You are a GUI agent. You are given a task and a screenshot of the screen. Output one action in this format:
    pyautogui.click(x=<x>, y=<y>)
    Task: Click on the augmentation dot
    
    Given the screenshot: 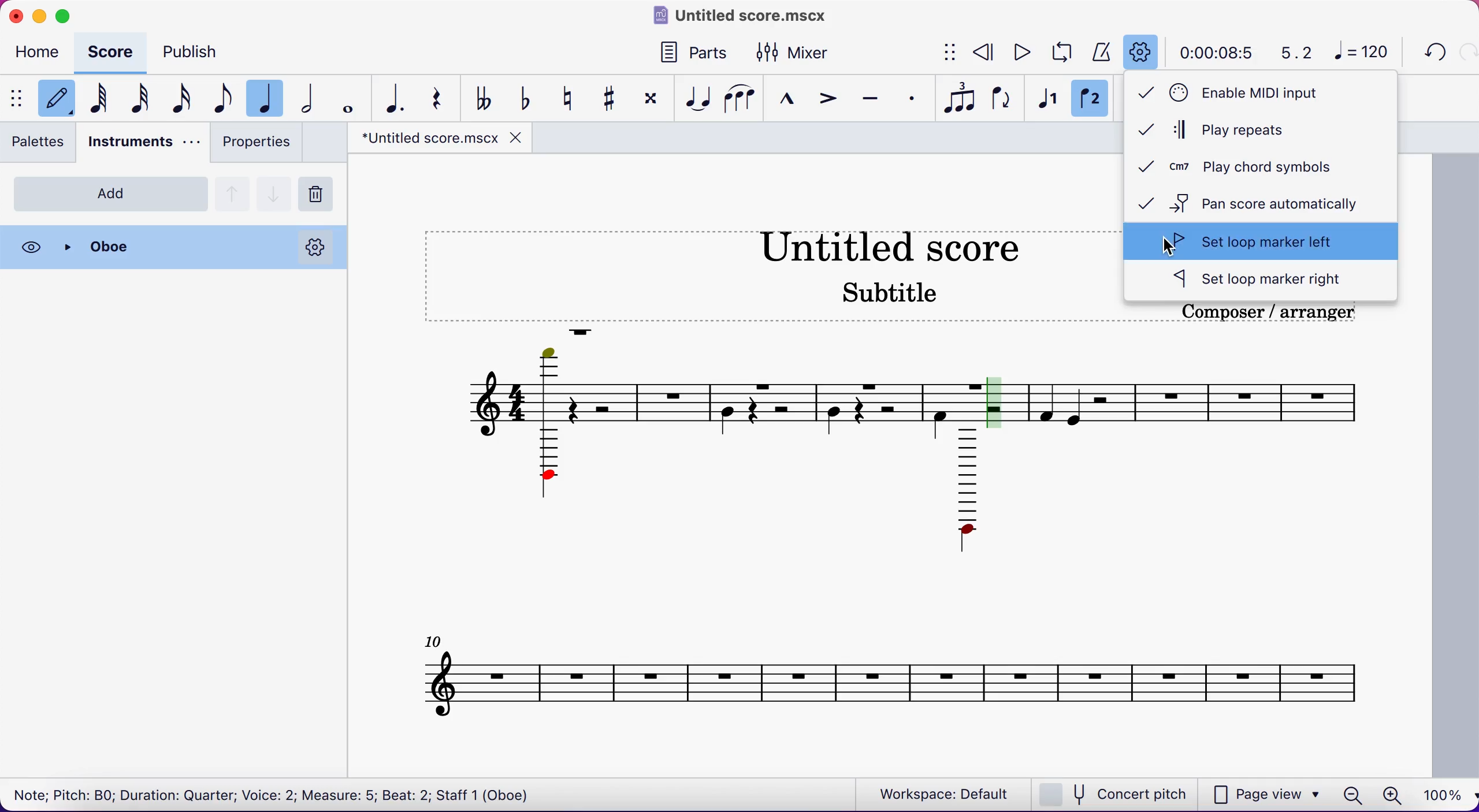 What is the action you would take?
    pyautogui.click(x=392, y=98)
    